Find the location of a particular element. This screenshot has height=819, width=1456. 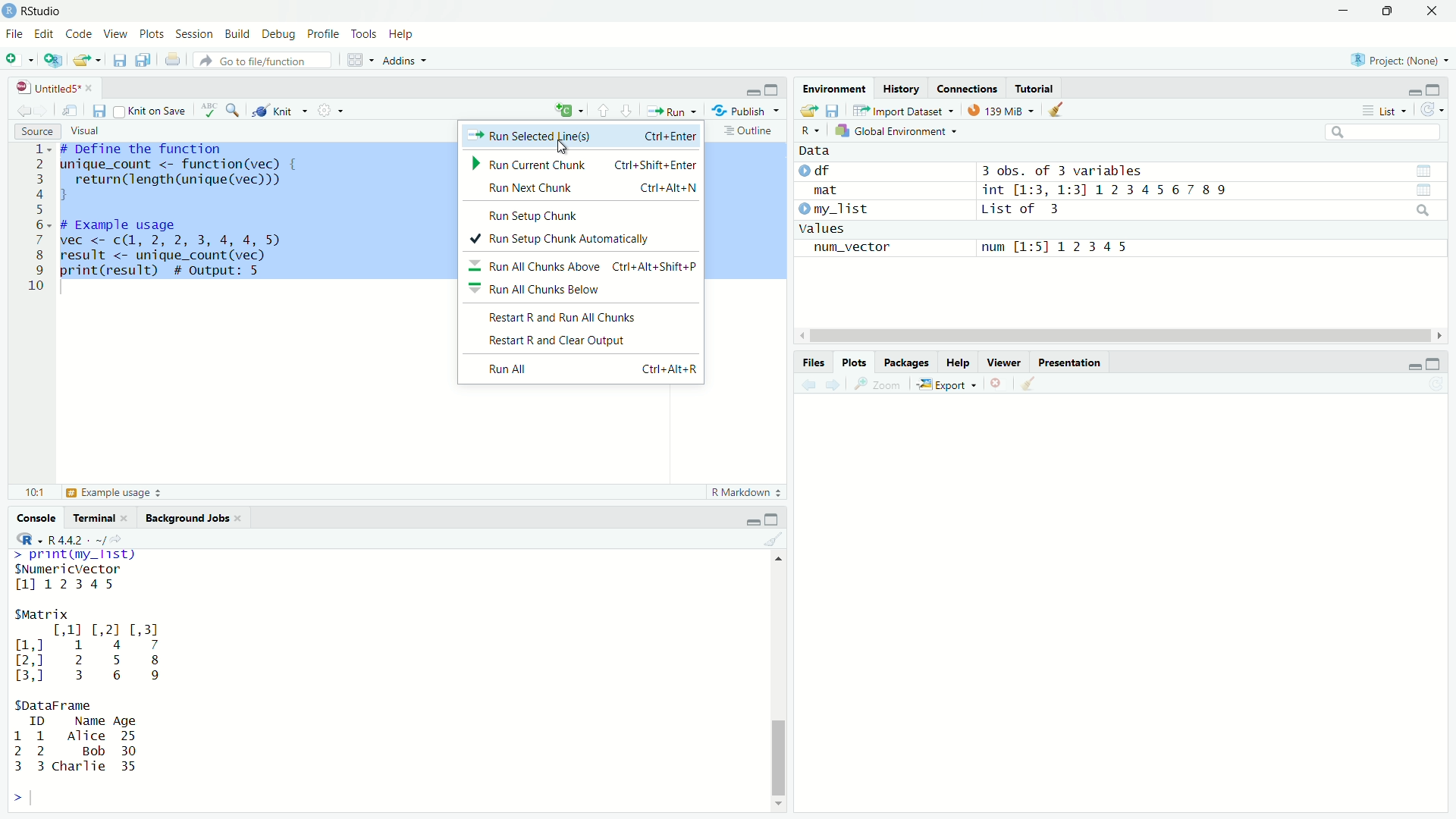

save is located at coordinates (99, 111).